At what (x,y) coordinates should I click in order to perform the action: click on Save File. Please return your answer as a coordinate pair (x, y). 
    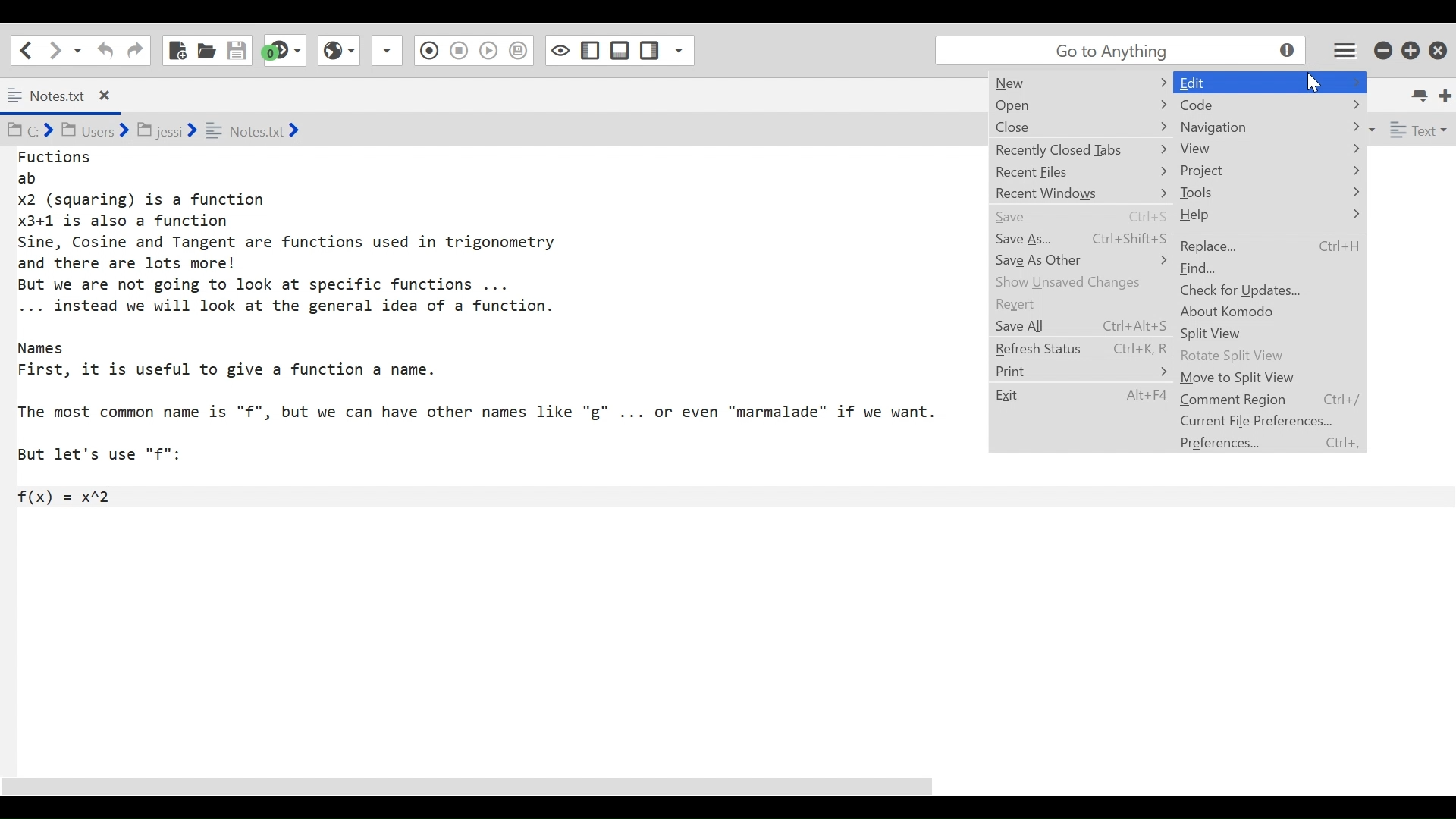
    Looking at the image, I should click on (238, 50).